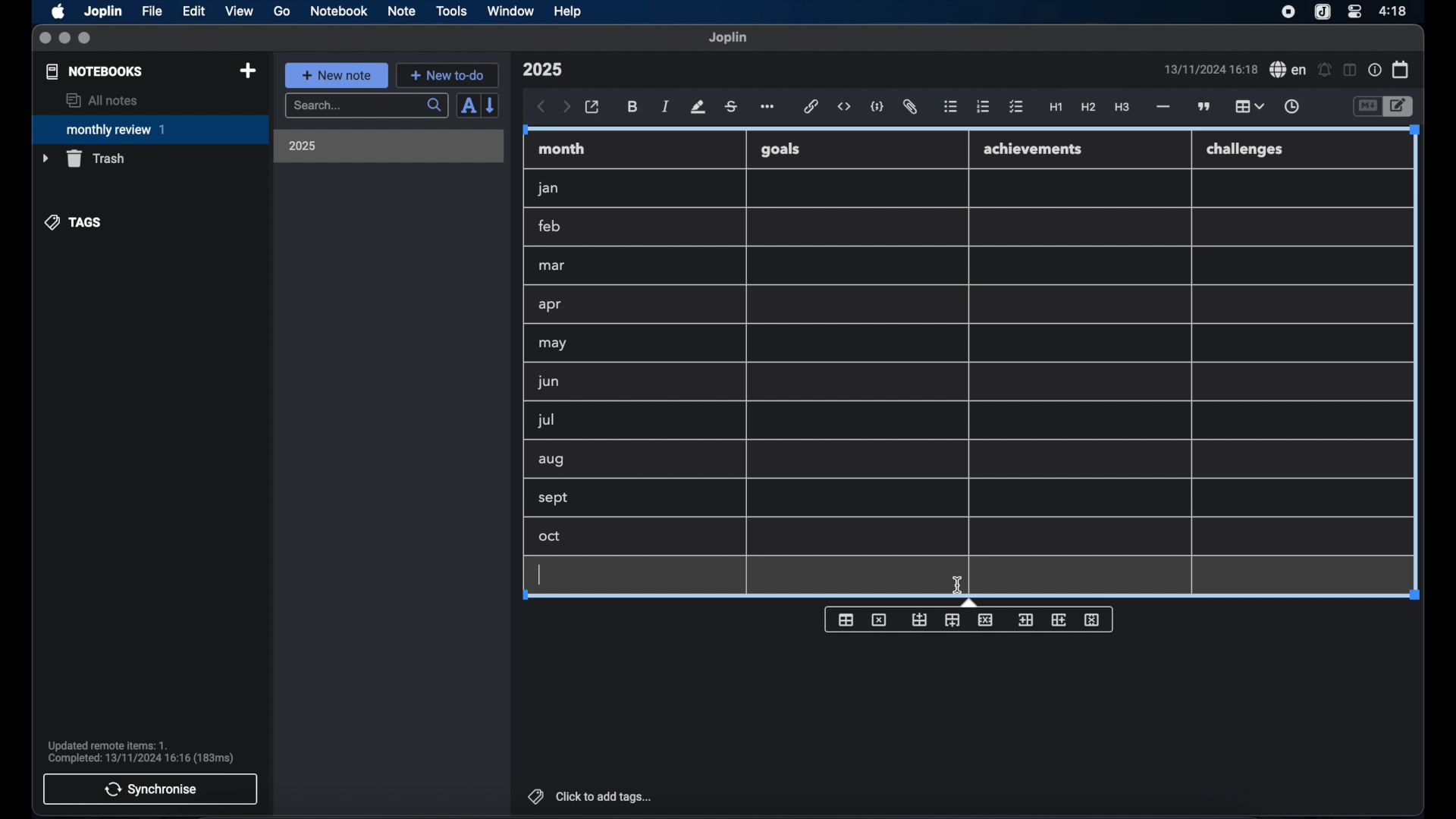 This screenshot has height=819, width=1456. Describe the element at coordinates (491, 105) in the screenshot. I see `reverse sort order` at that location.